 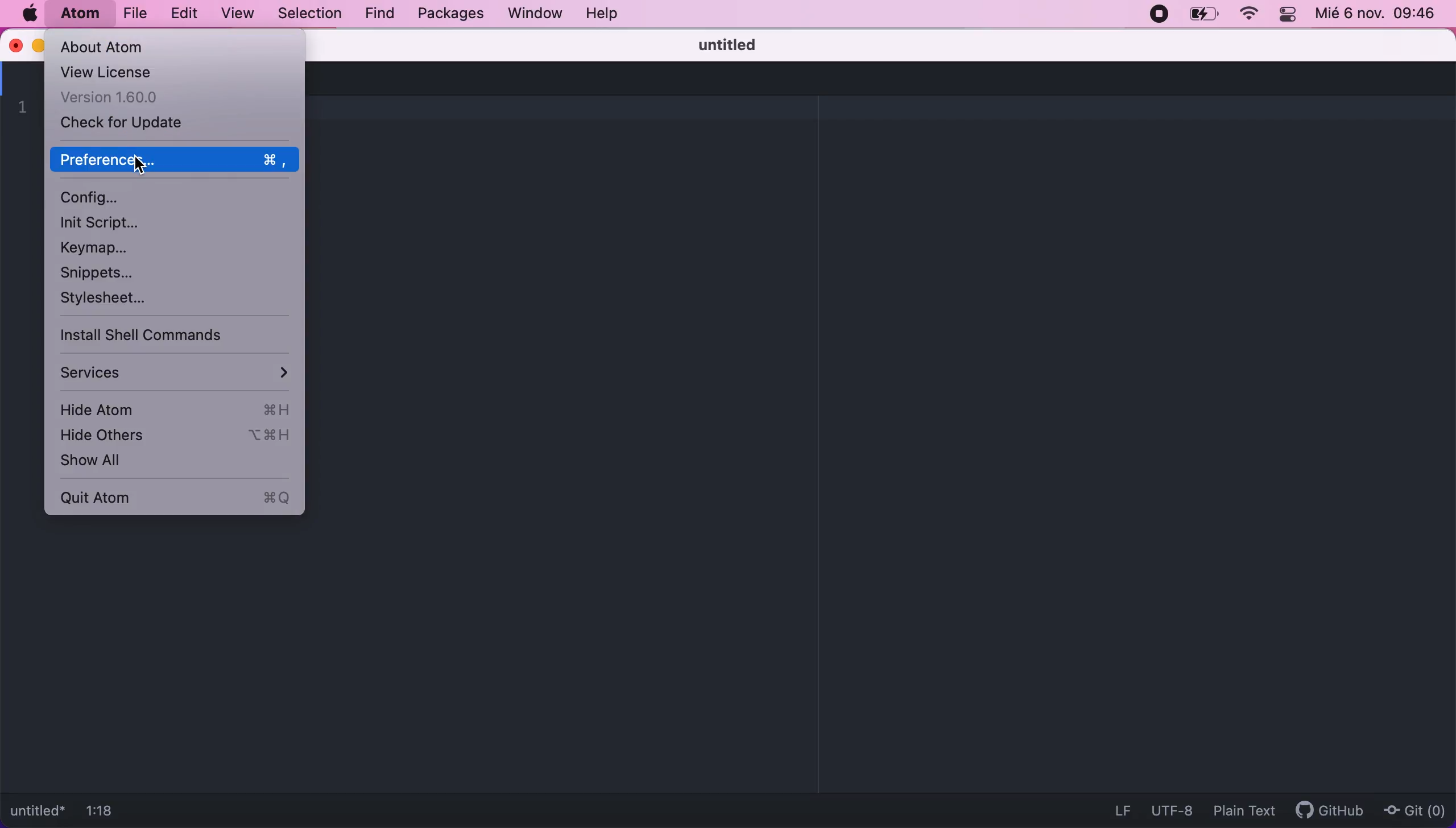 I want to click on show all, so click(x=135, y=461).